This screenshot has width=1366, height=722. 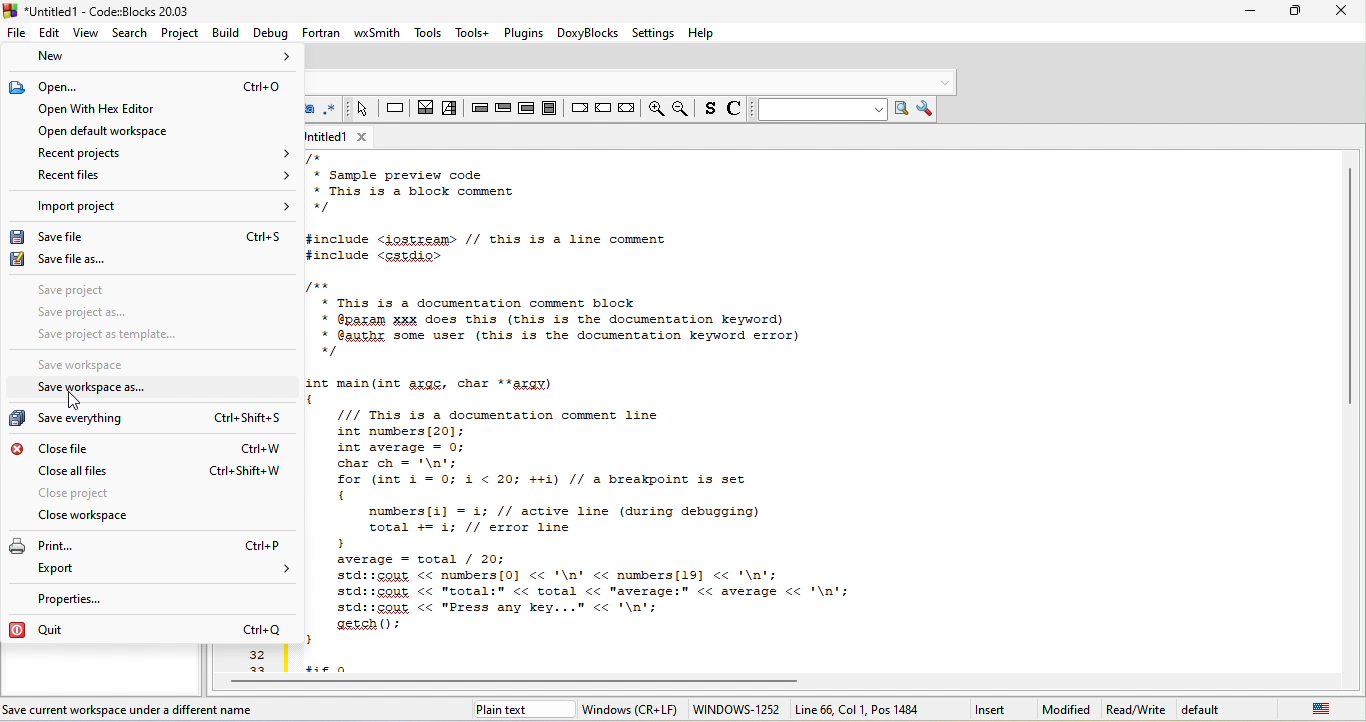 What do you see at coordinates (313, 111) in the screenshot?
I see `match case` at bounding box center [313, 111].